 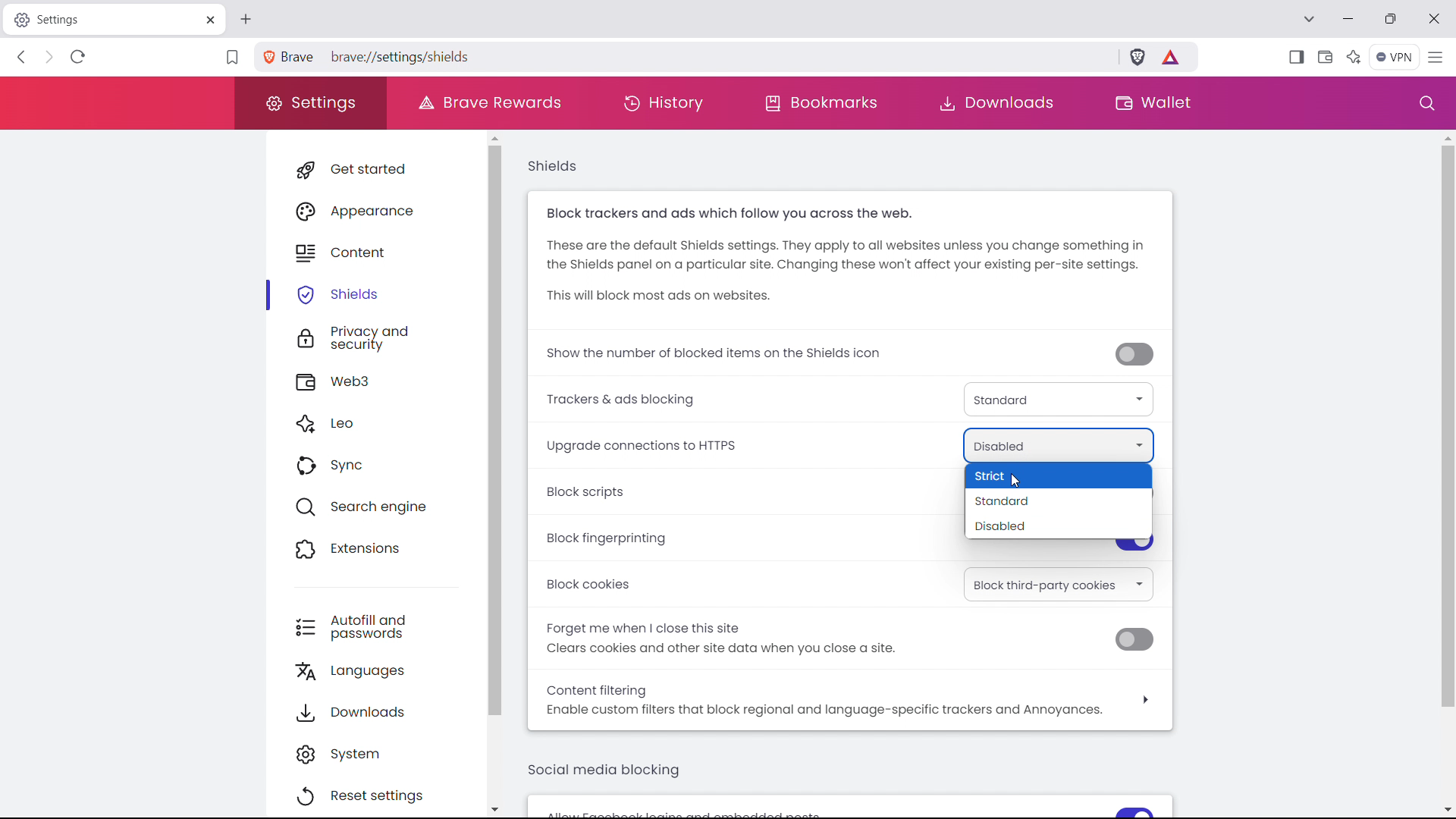 I want to click on toggle off, so click(x=1137, y=356).